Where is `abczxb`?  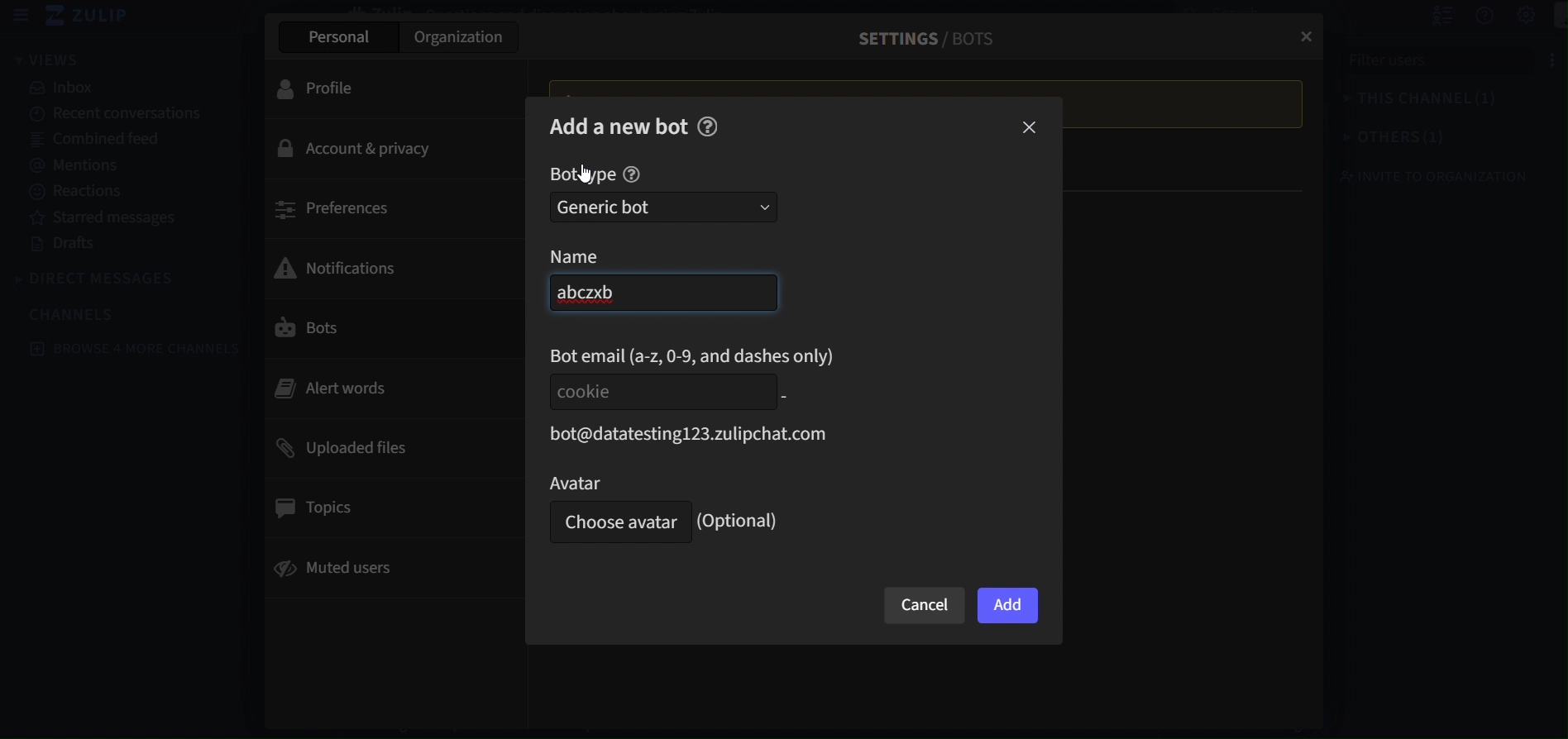
abczxb is located at coordinates (658, 293).